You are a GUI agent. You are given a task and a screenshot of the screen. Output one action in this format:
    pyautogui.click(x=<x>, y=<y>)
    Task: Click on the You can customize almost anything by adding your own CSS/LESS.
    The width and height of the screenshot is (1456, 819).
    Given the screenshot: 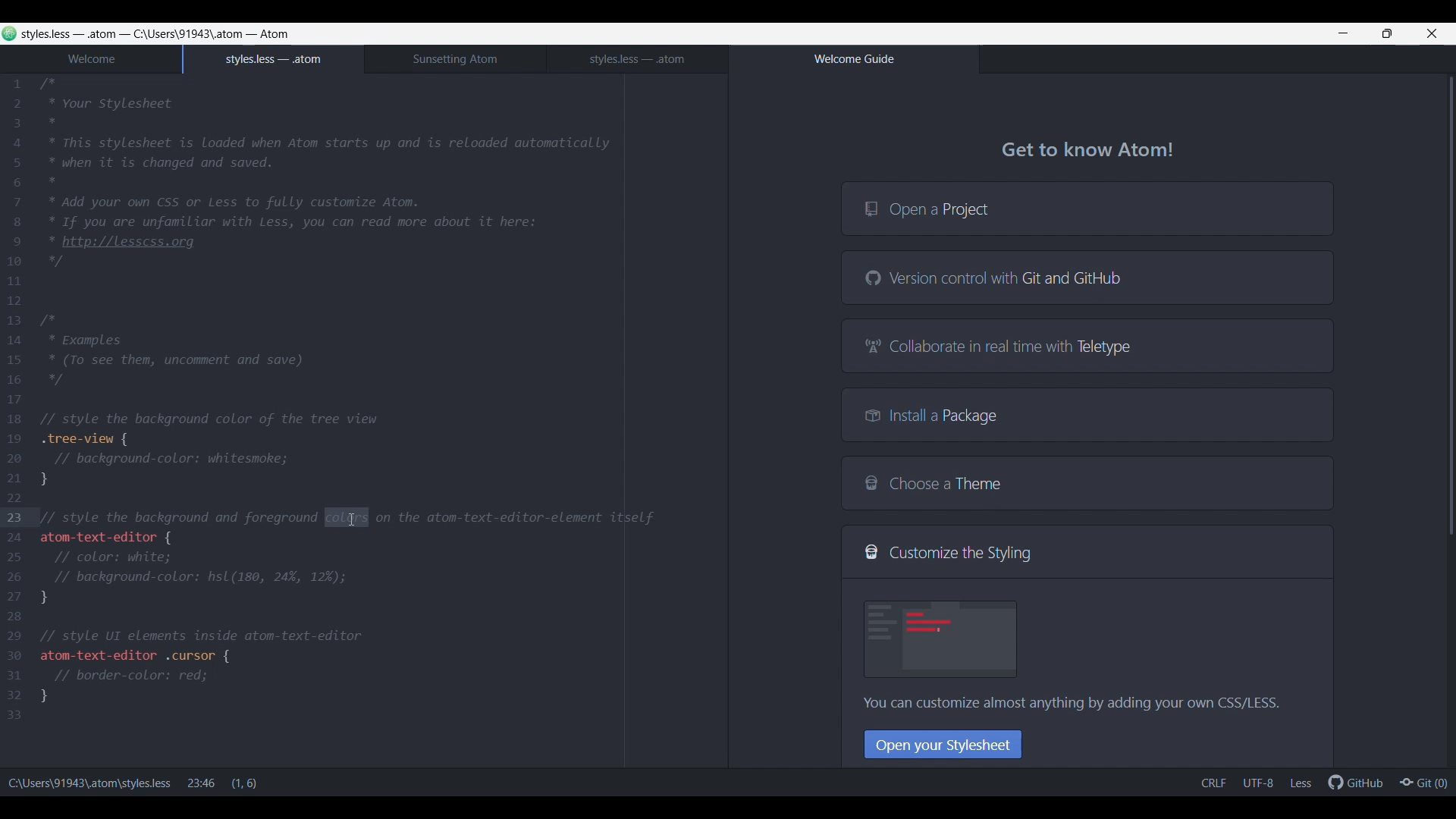 What is the action you would take?
    pyautogui.click(x=1068, y=705)
    